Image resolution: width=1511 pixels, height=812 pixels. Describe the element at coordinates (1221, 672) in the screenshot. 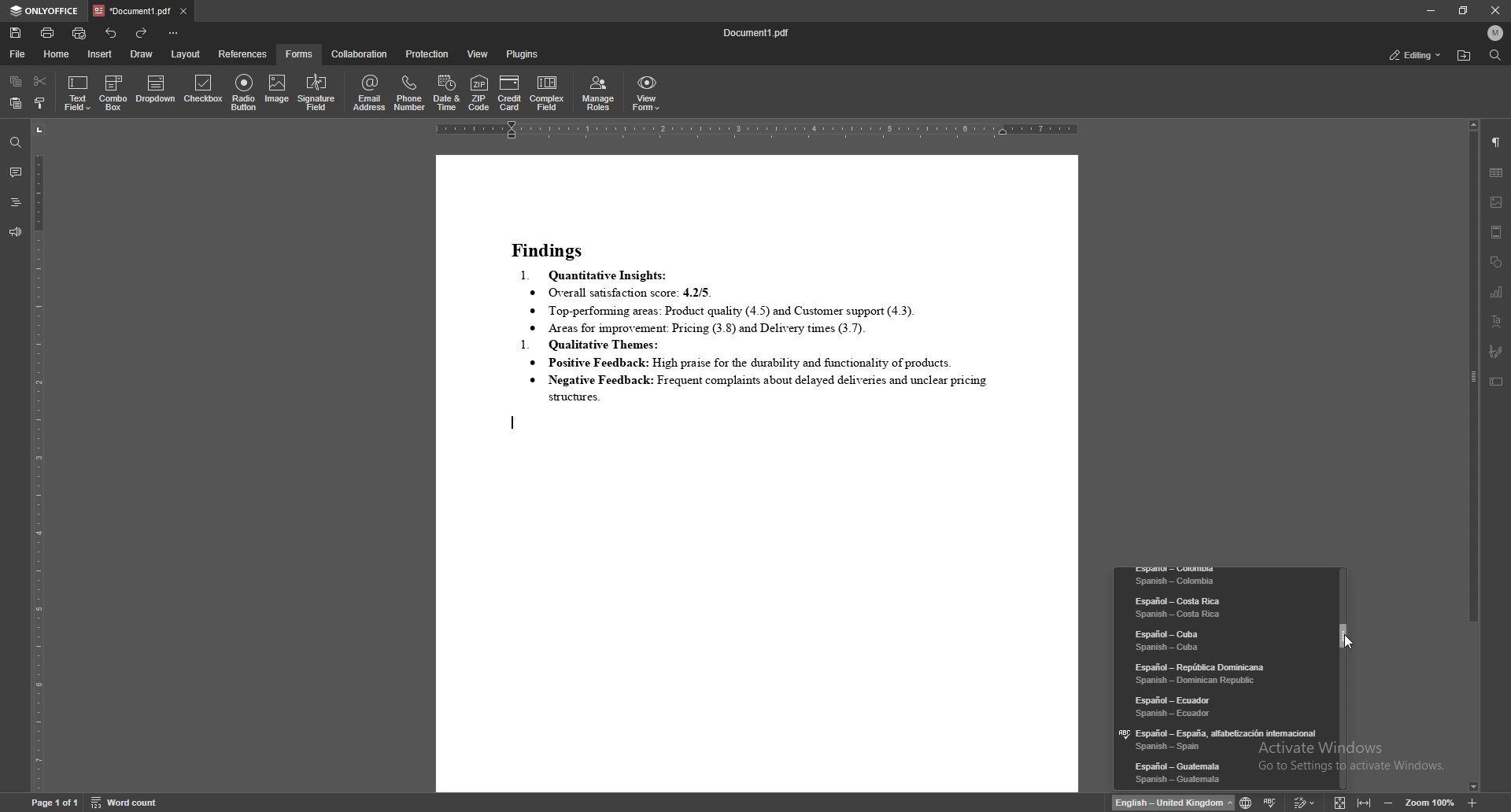

I see `language` at that location.